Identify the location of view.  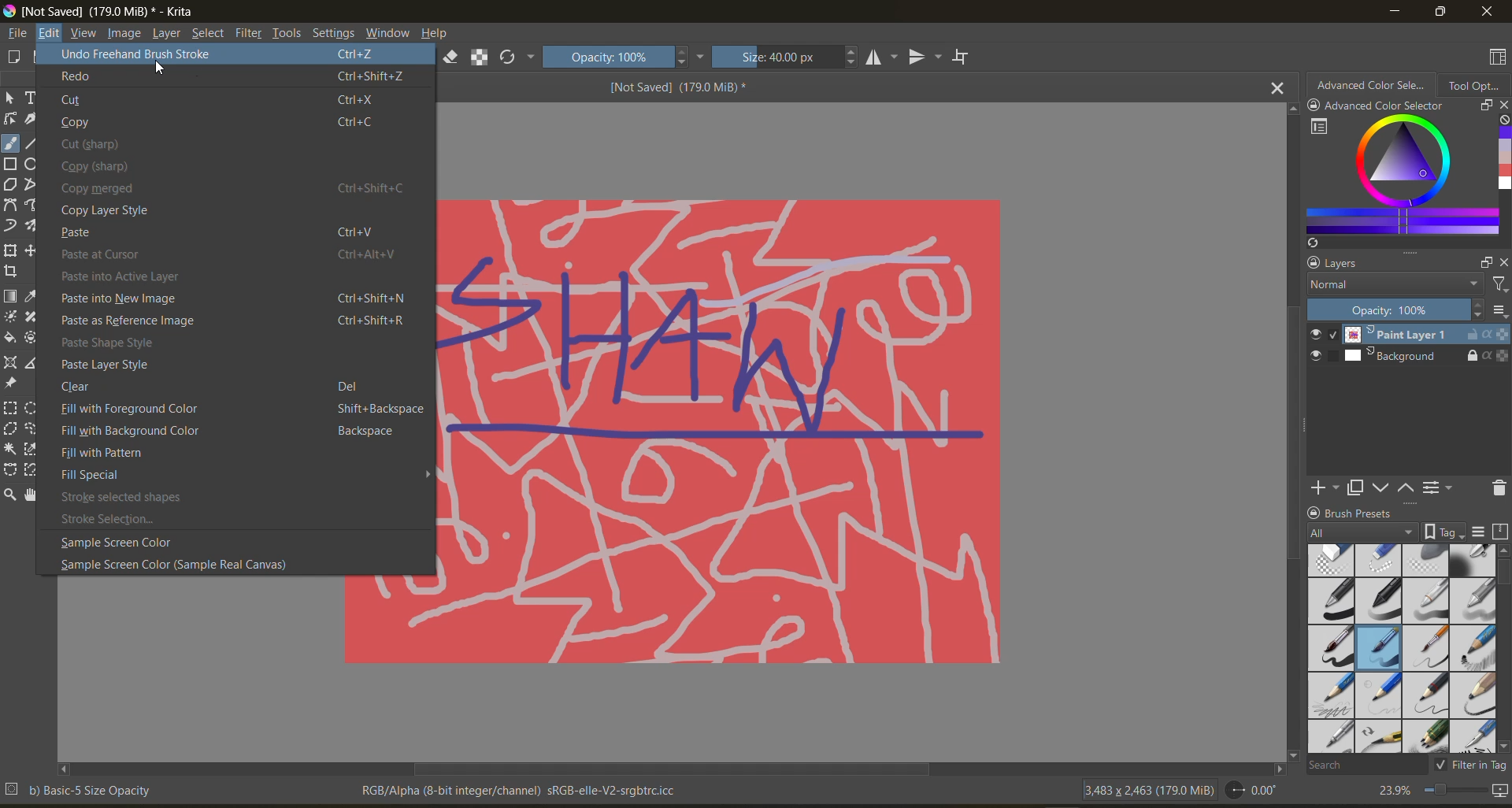
(85, 33).